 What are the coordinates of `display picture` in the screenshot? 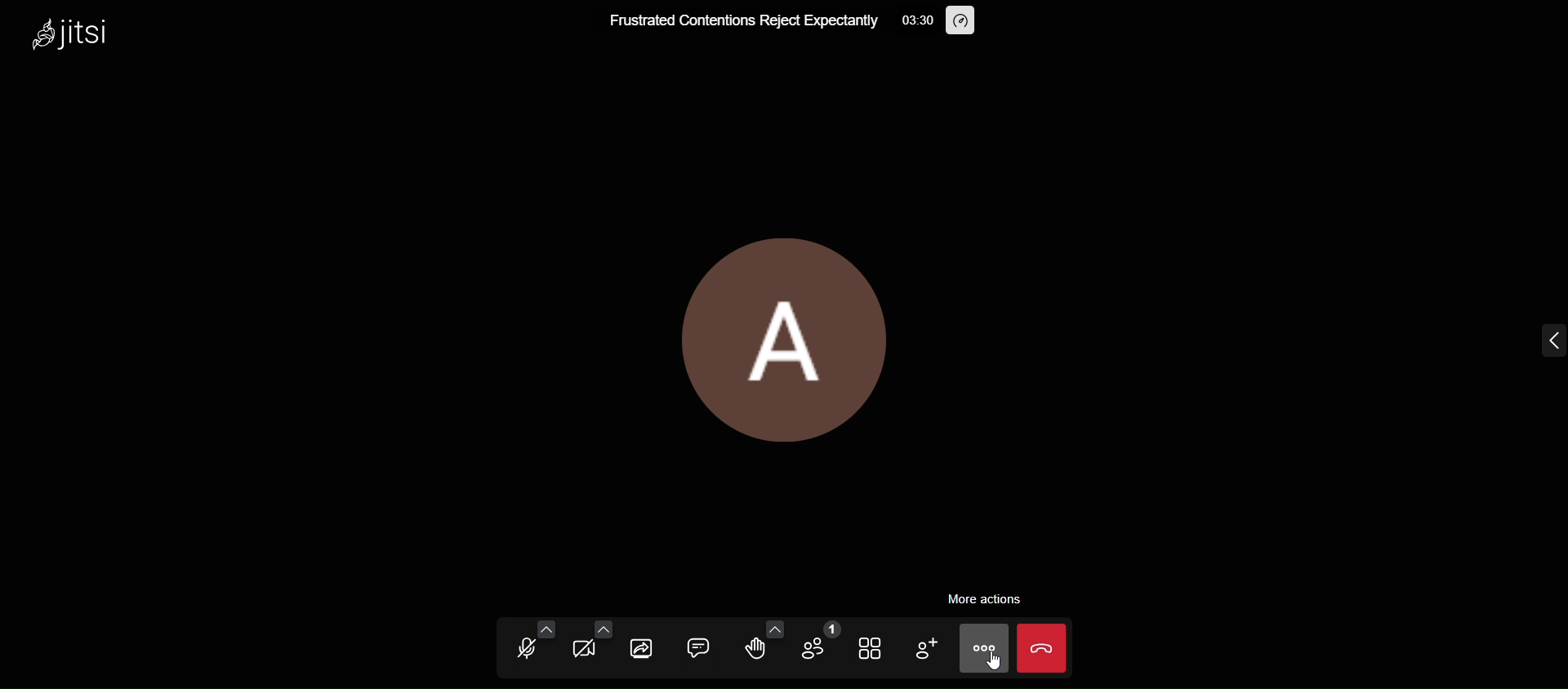 It's located at (790, 331).